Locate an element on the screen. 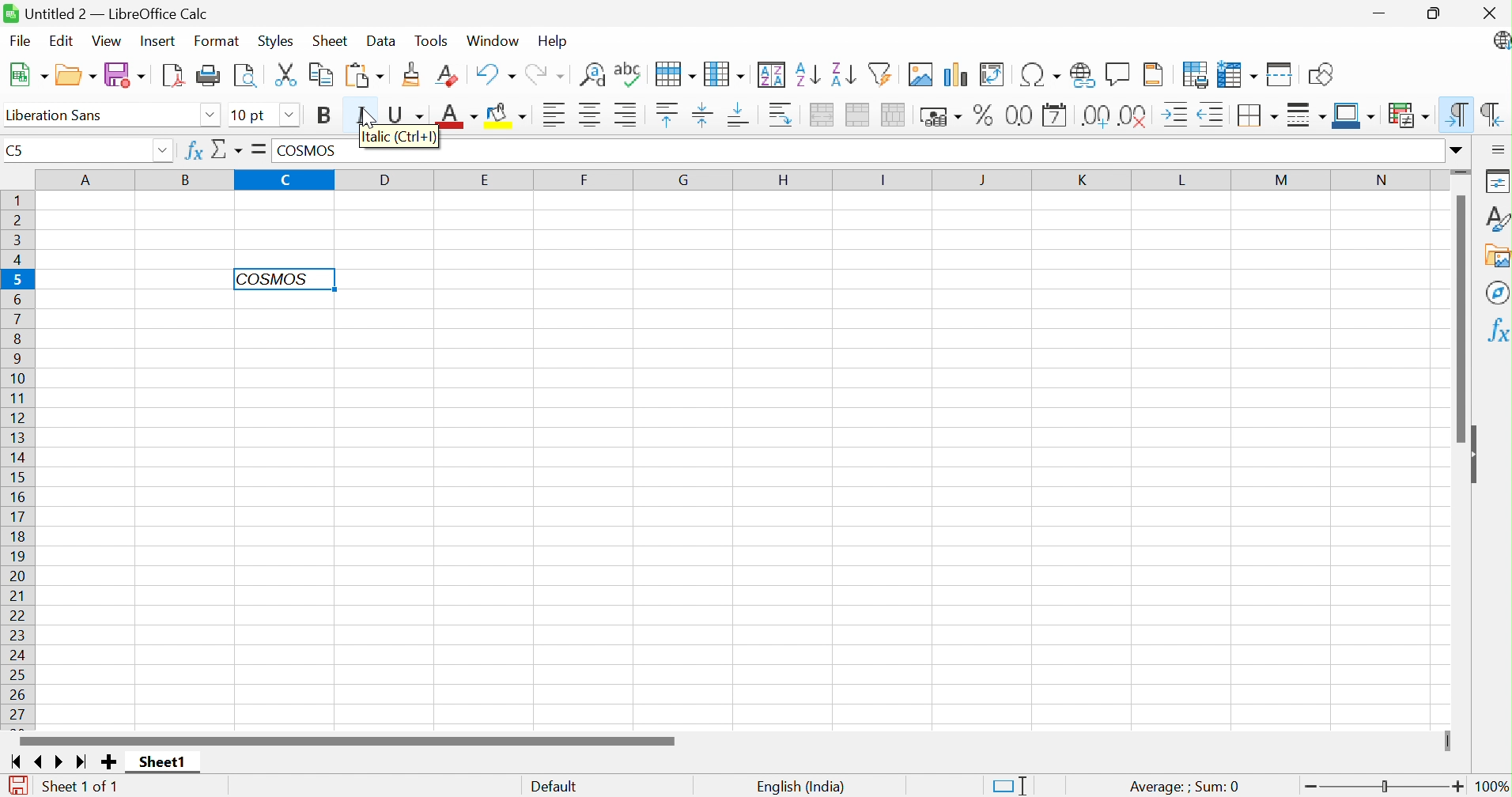 This screenshot has height=797, width=1512. Styles is located at coordinates (1498, 218).